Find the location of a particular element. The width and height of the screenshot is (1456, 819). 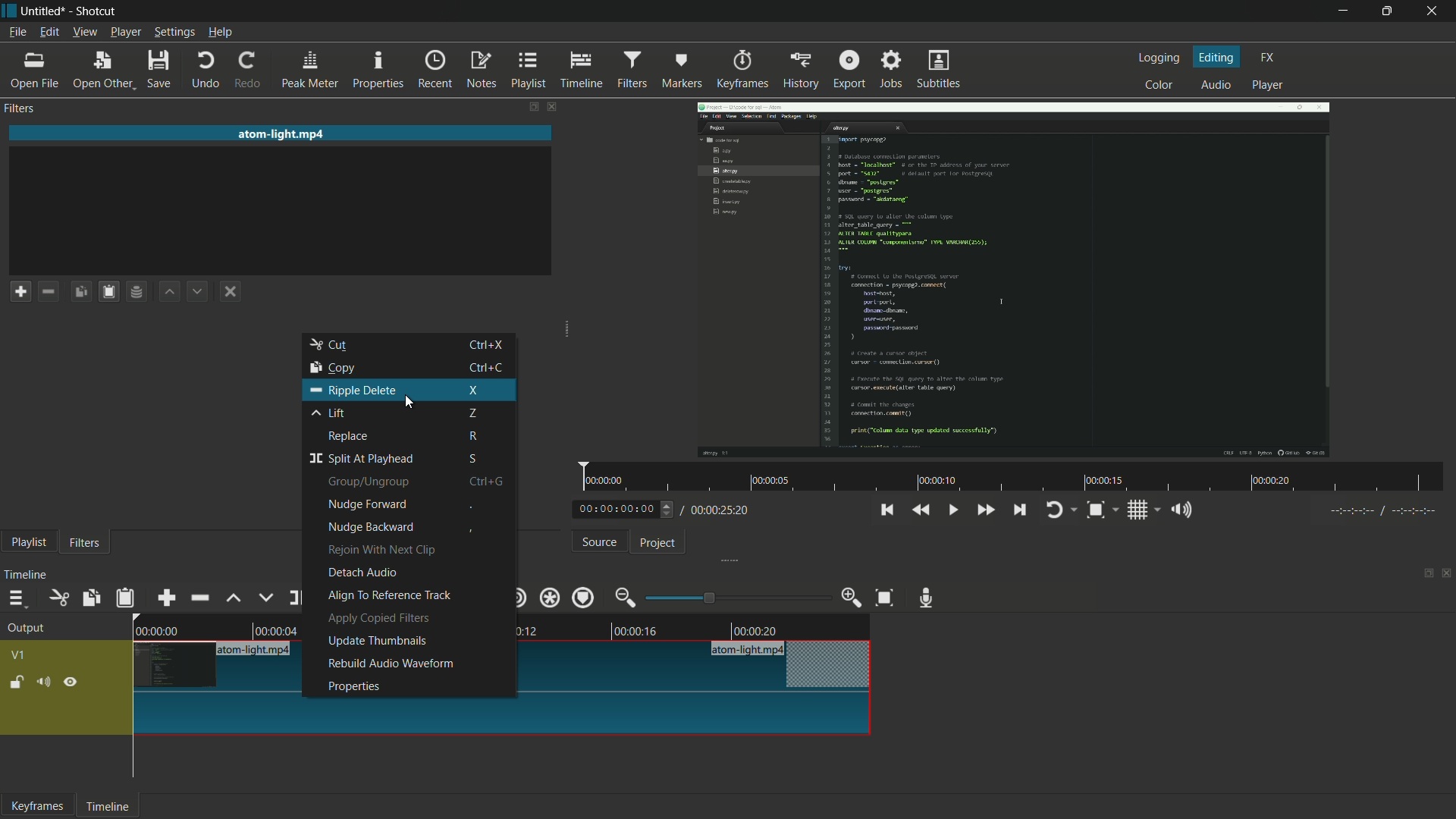

timeline is located at coordinates (108, 808).